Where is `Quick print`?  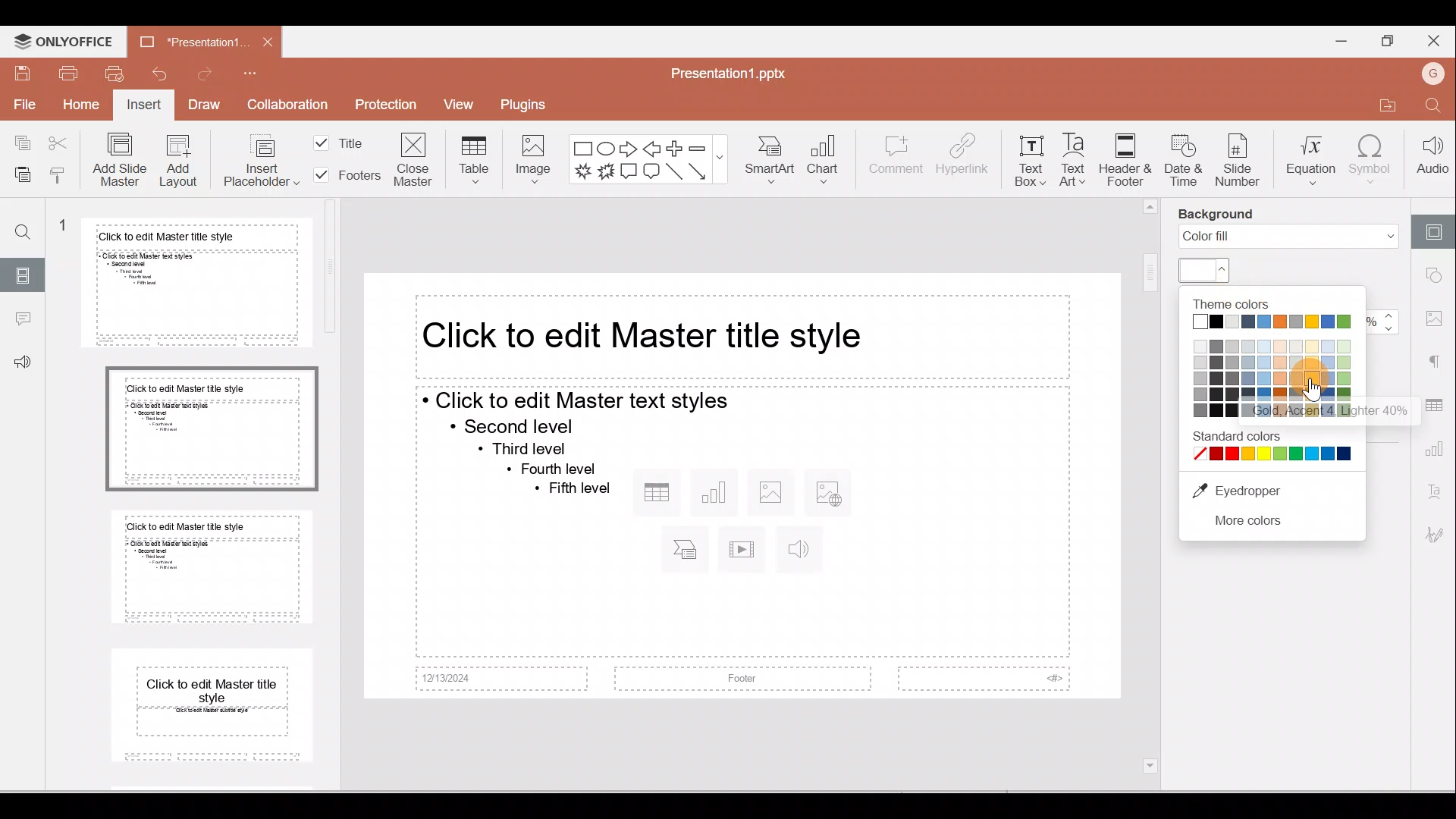 Quick print is located at coordinates (115, 73).